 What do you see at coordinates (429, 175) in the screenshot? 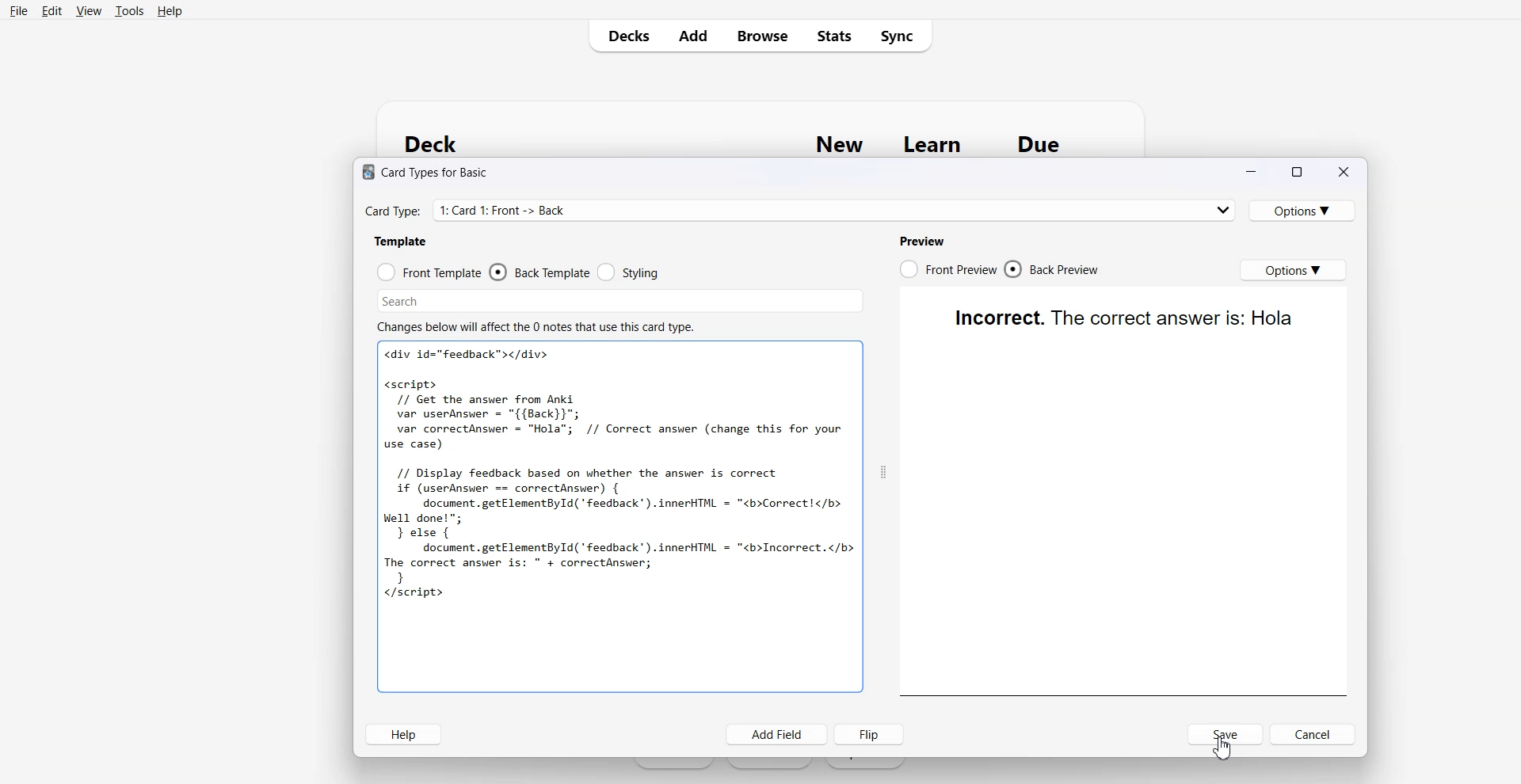
I see `® Card Types for Basic` at bounding box center [429, 175].